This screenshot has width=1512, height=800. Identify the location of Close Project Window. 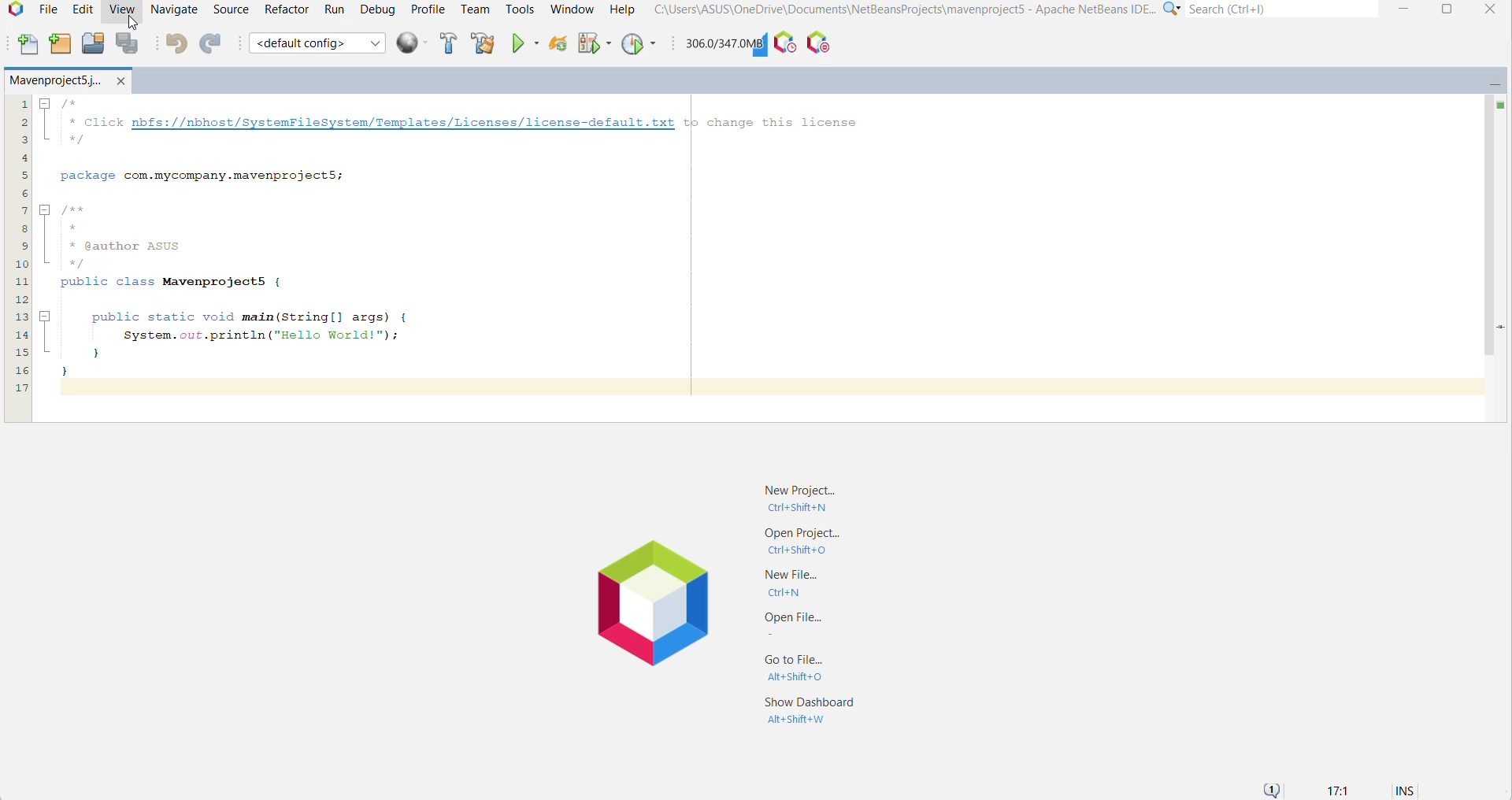
(122, 81).